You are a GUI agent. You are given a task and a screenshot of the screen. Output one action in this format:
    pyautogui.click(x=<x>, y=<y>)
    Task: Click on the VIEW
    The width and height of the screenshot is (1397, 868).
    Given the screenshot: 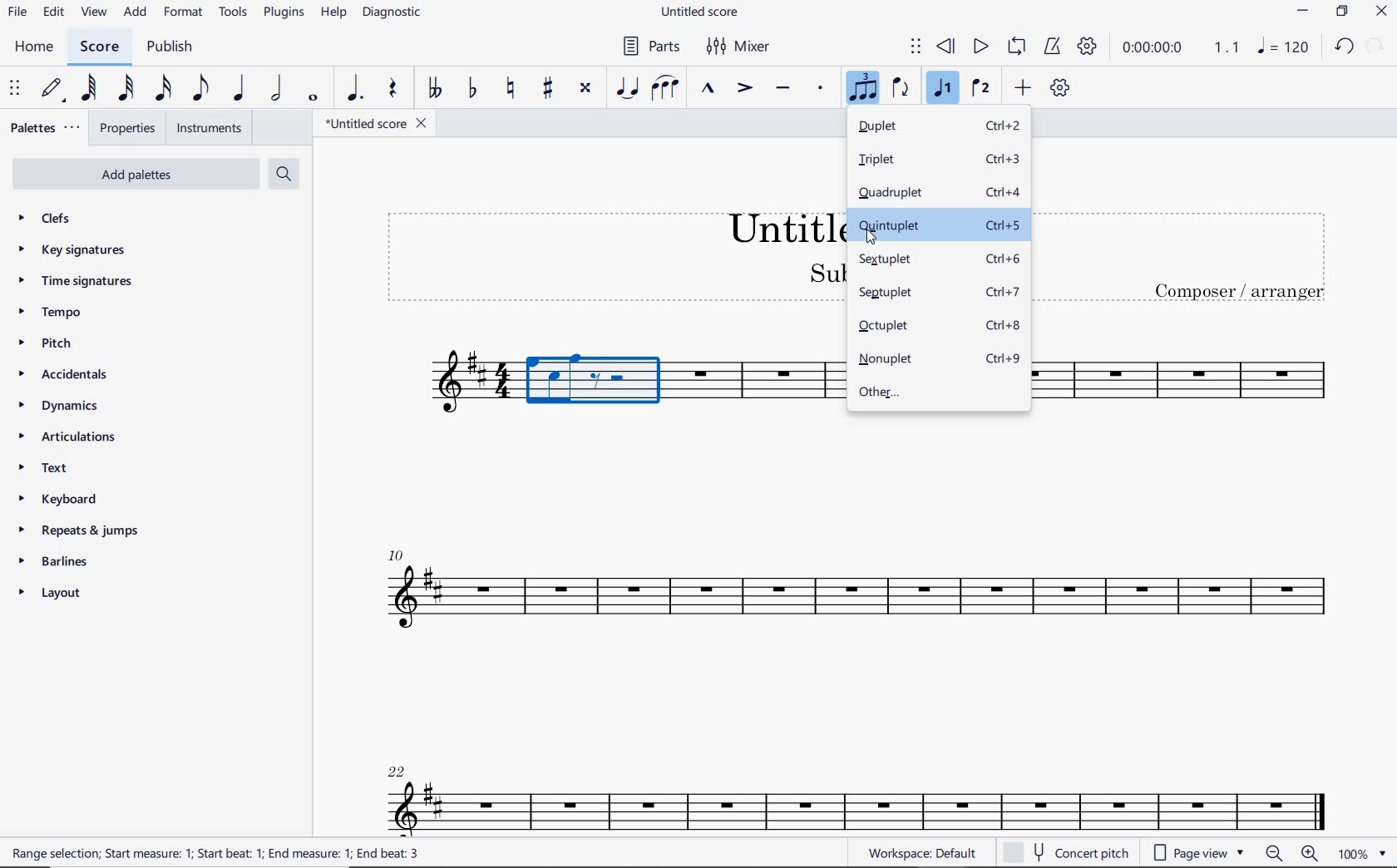 What is the action you would take?
    pyautogui.click(x=93, y=13)
    